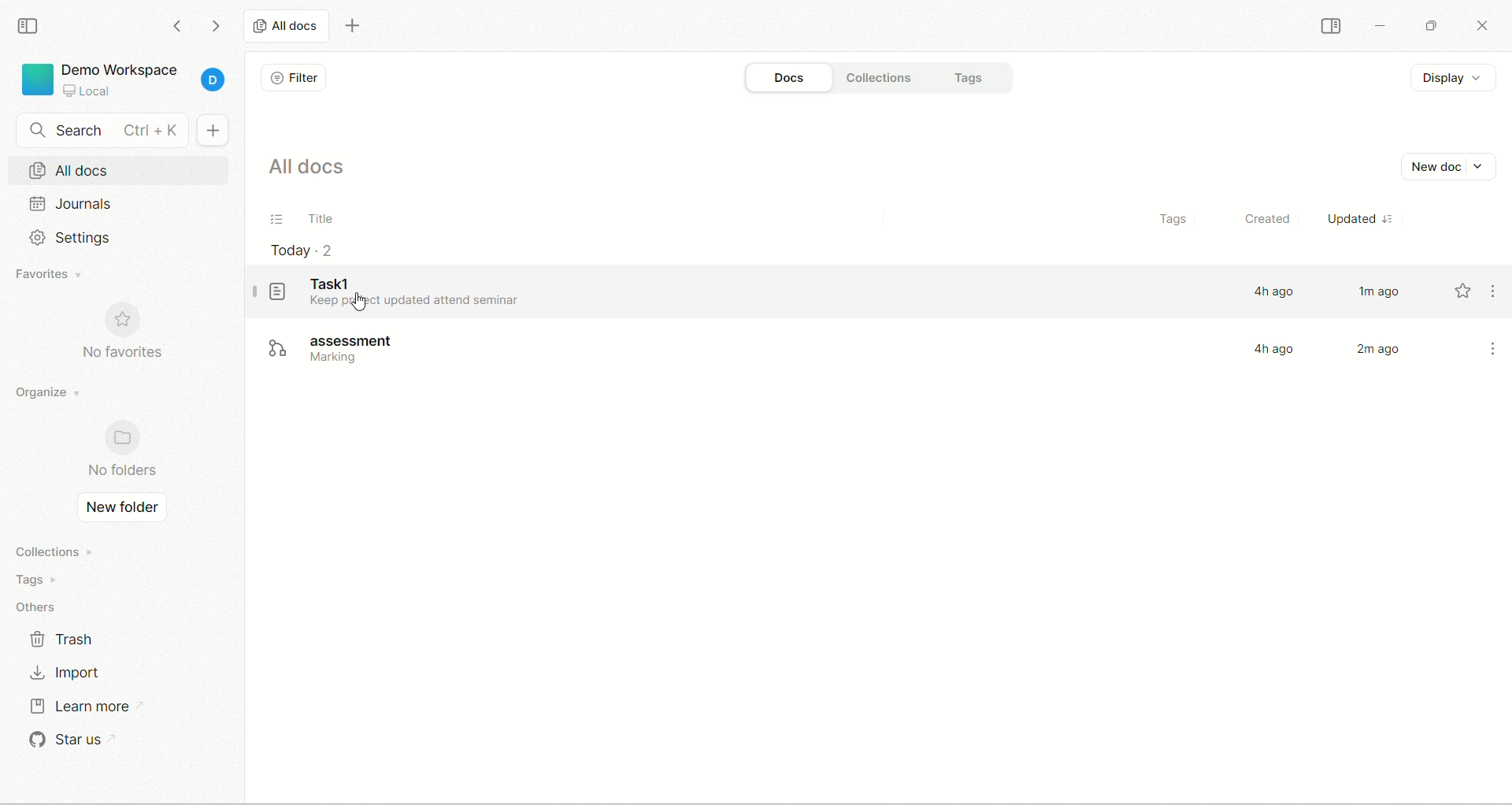 This screenshot has width=1512, height=805. Describe the element at coordinates (322, 165) in the screenshot. I see `all docs` at that location.